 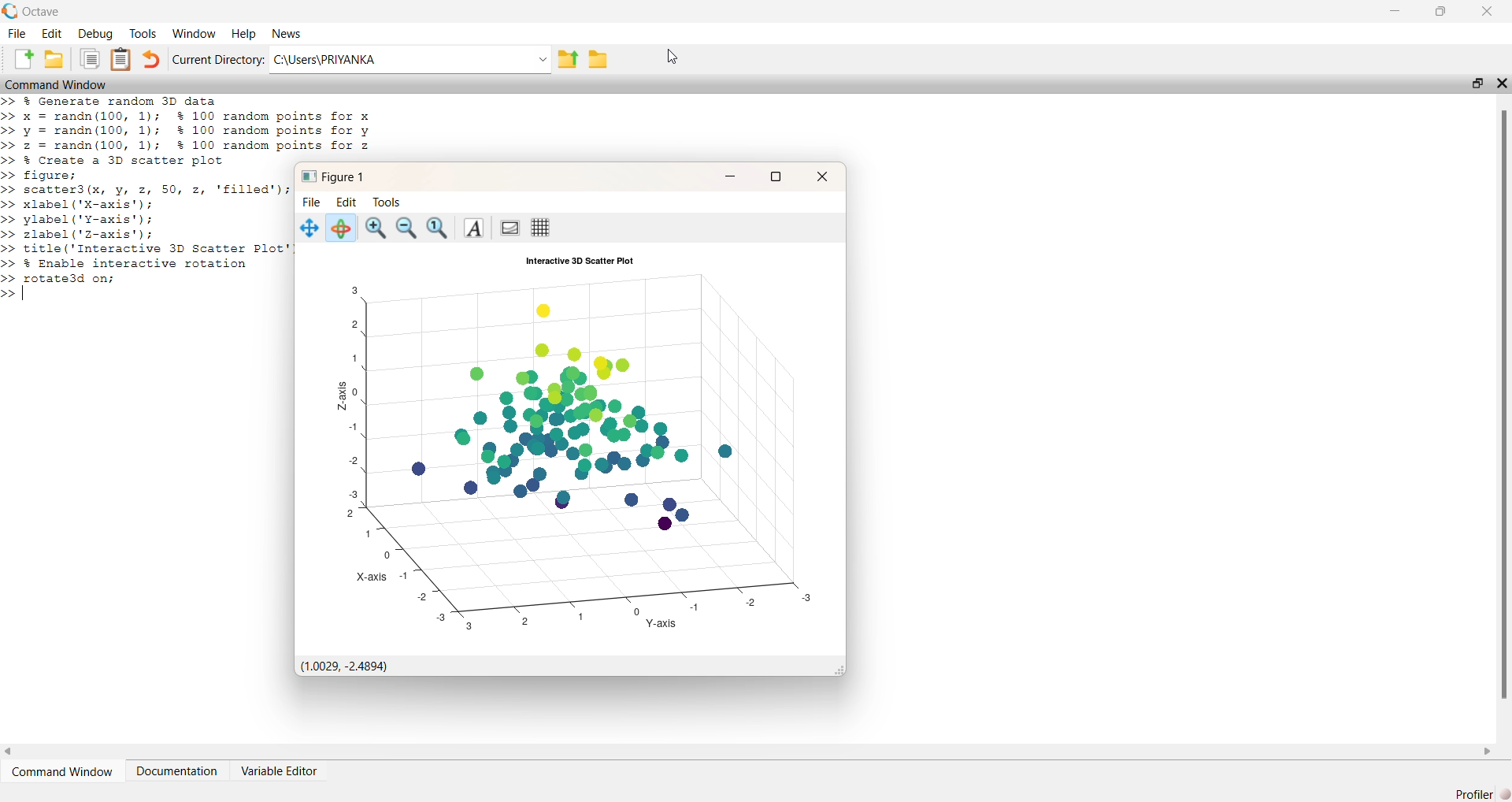 I want to click on close, so click(x=1488, y=11).